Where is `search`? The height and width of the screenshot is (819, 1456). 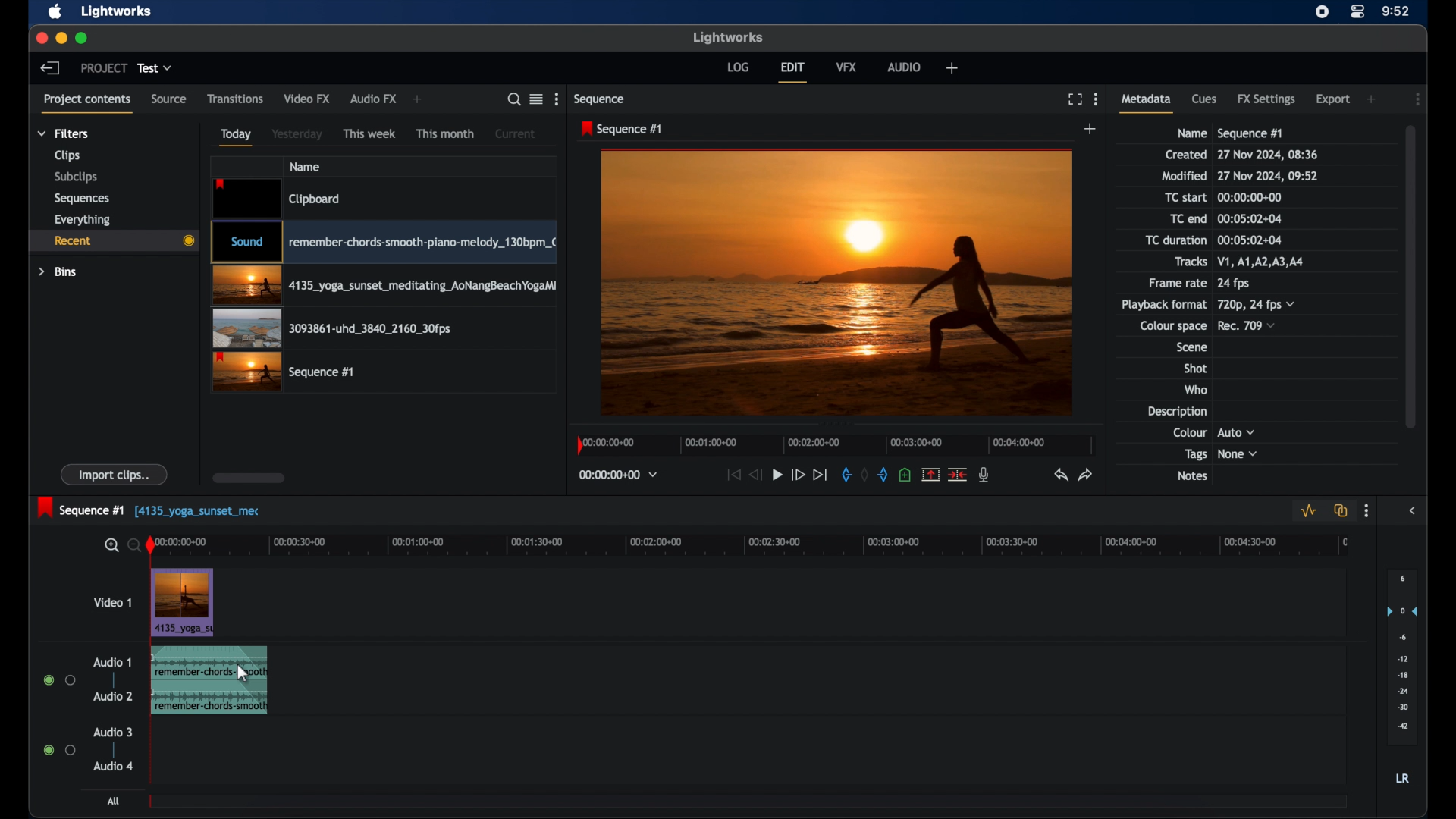 search is located at coordinates (513, 99).